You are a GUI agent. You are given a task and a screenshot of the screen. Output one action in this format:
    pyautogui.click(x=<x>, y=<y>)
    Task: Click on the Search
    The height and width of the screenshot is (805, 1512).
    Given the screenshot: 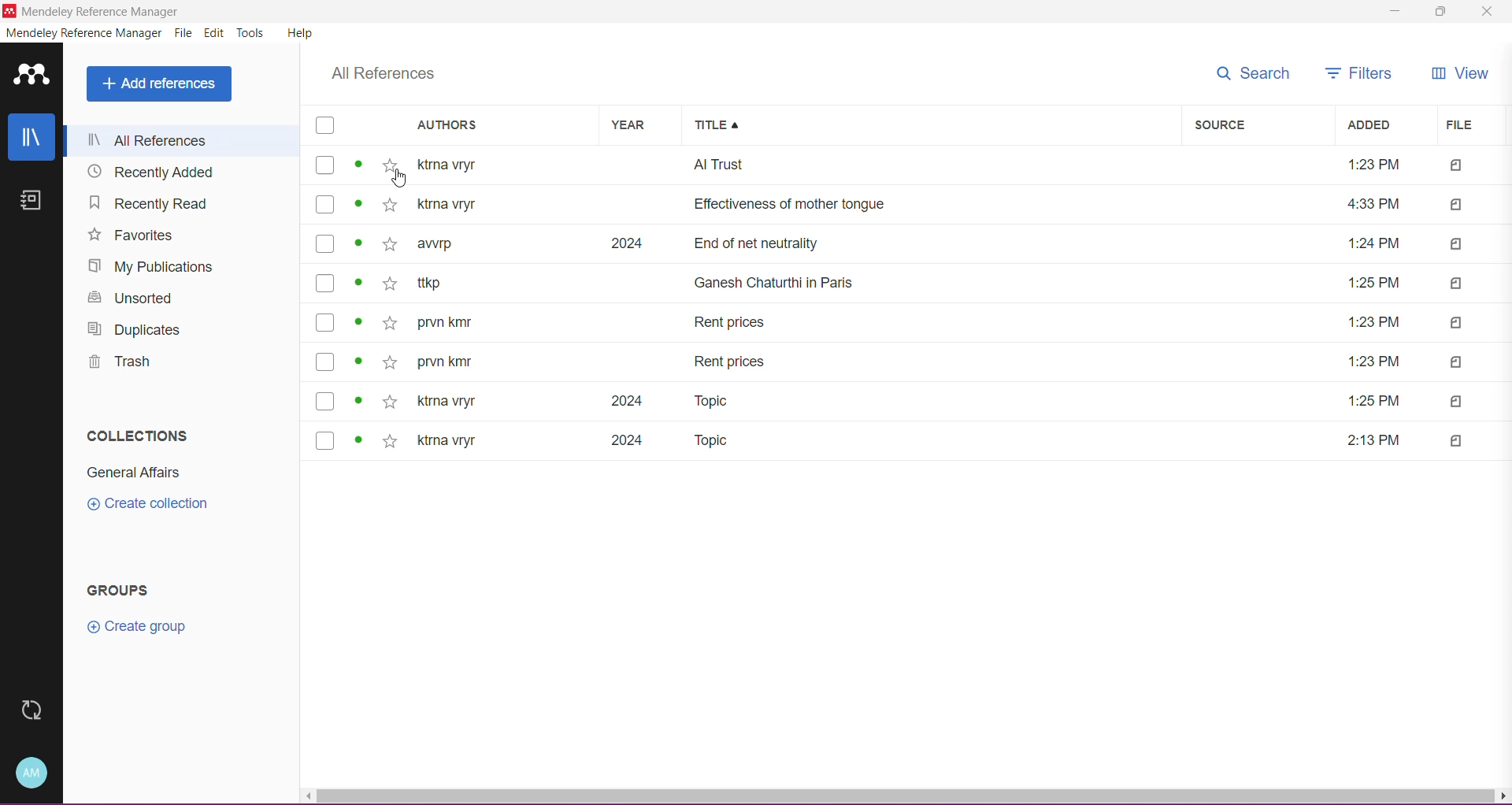 What is the action you would take?
    pyautogui.click(x=1254, y=73)
    